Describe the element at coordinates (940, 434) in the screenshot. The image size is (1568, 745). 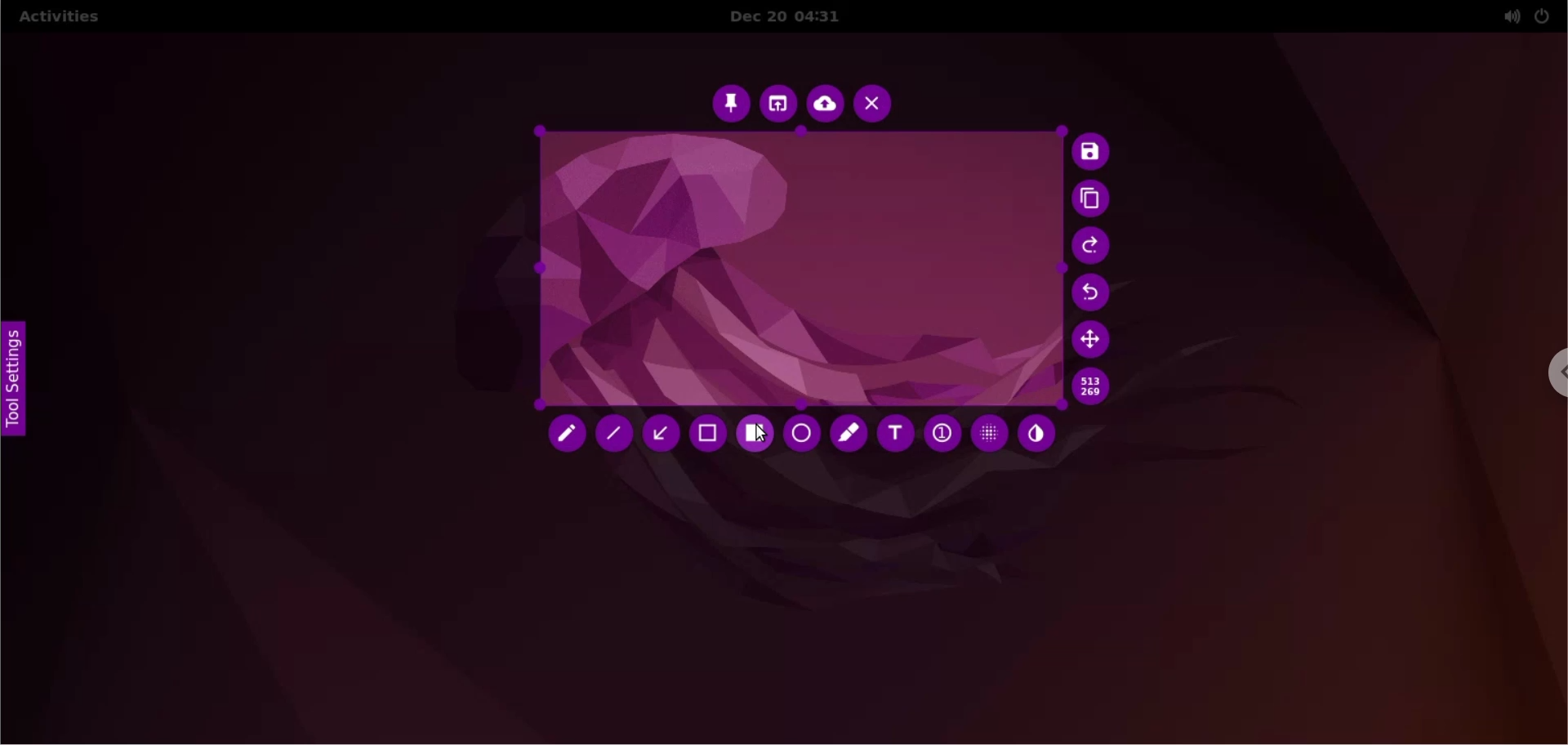
I see `auto increment` at that location.